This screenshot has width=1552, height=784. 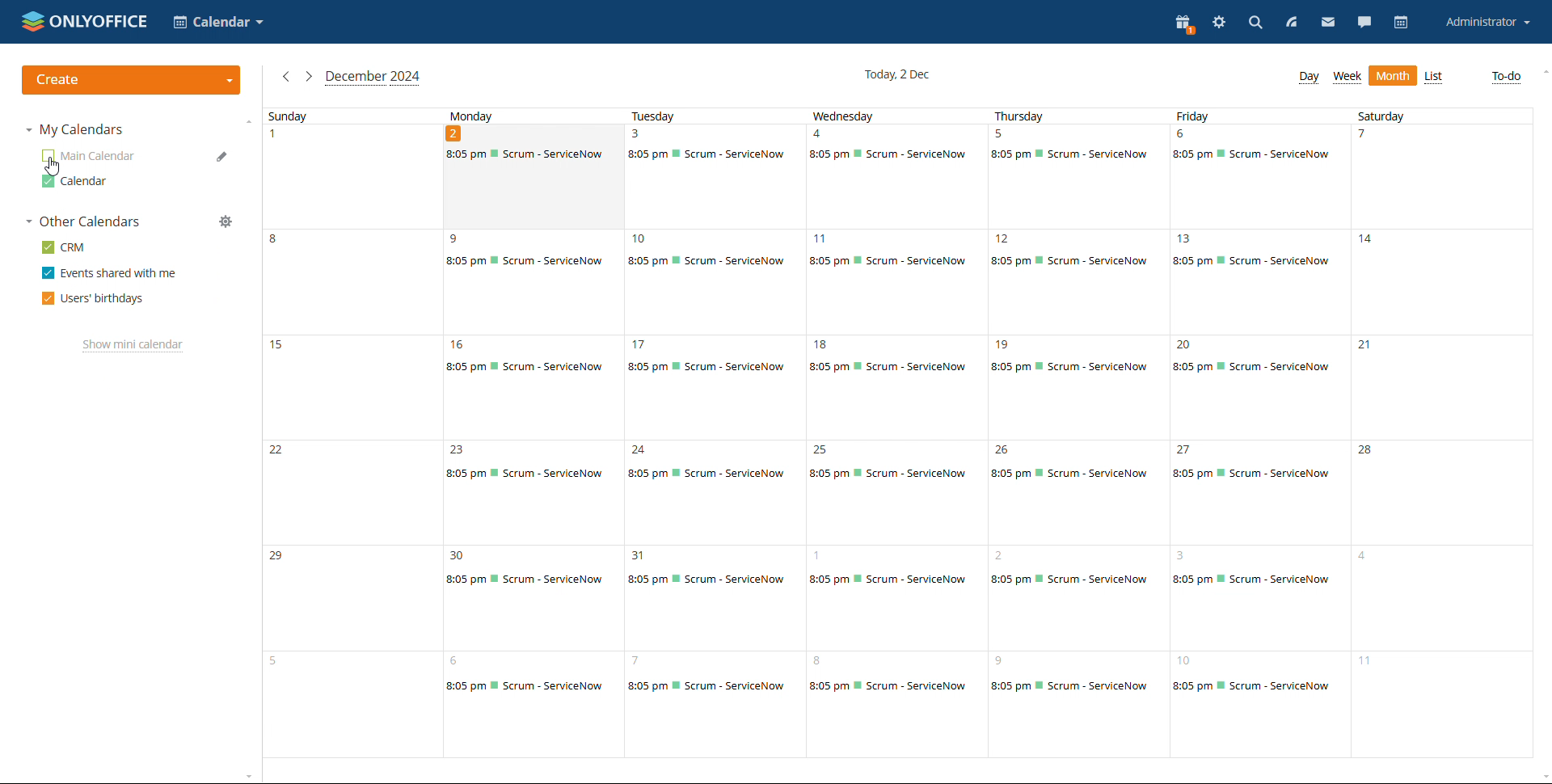 What do you see at coordinates (77, 130) in the screenshot?
I see `my calendars` at bounding box center [77, 130].